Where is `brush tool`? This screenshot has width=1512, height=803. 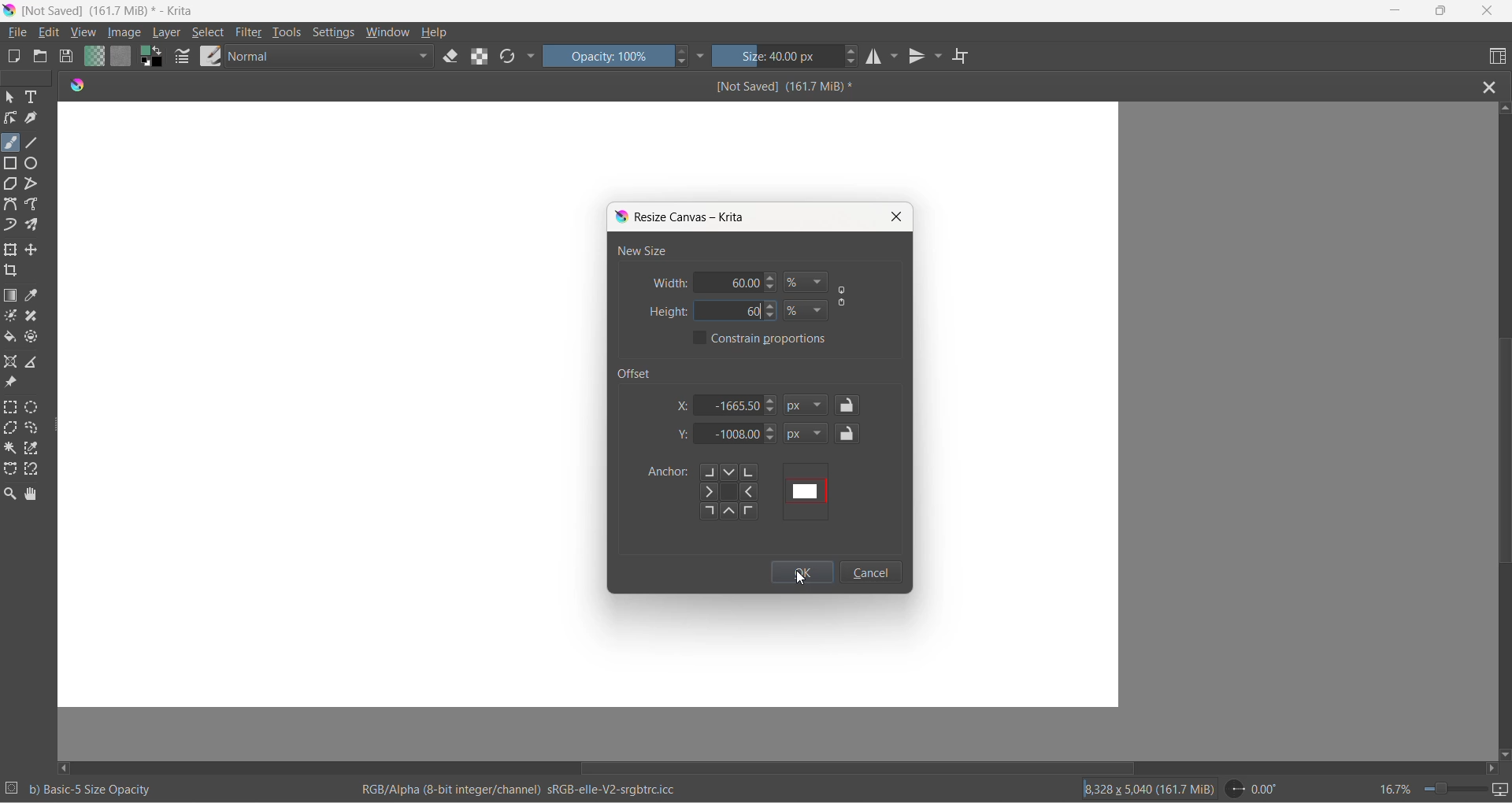
brush tool is located at coordinates (12, 142).